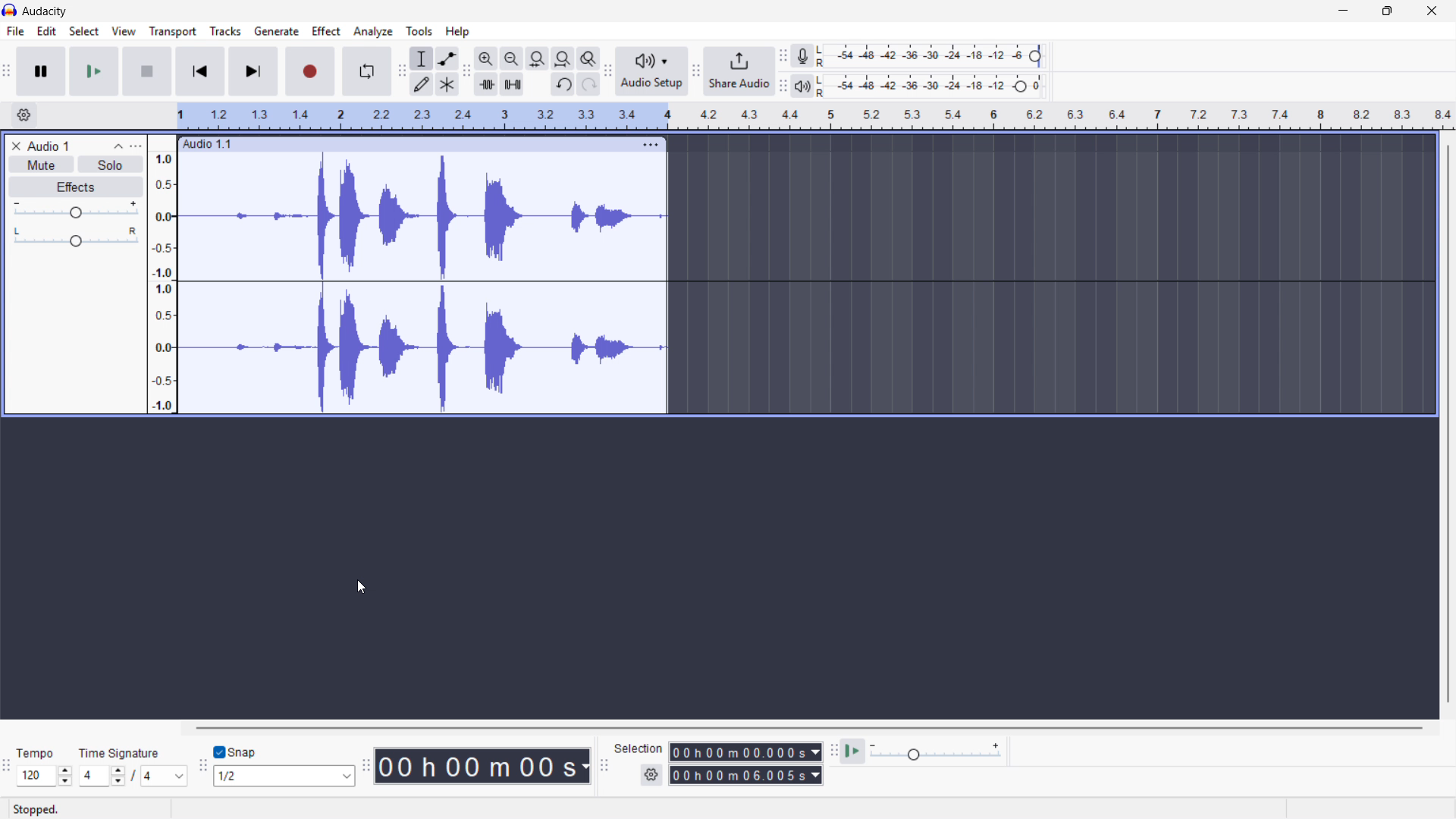  Describe the element at coordinates (802, 56) in the screenshot. I see `Recording metre` at that location.